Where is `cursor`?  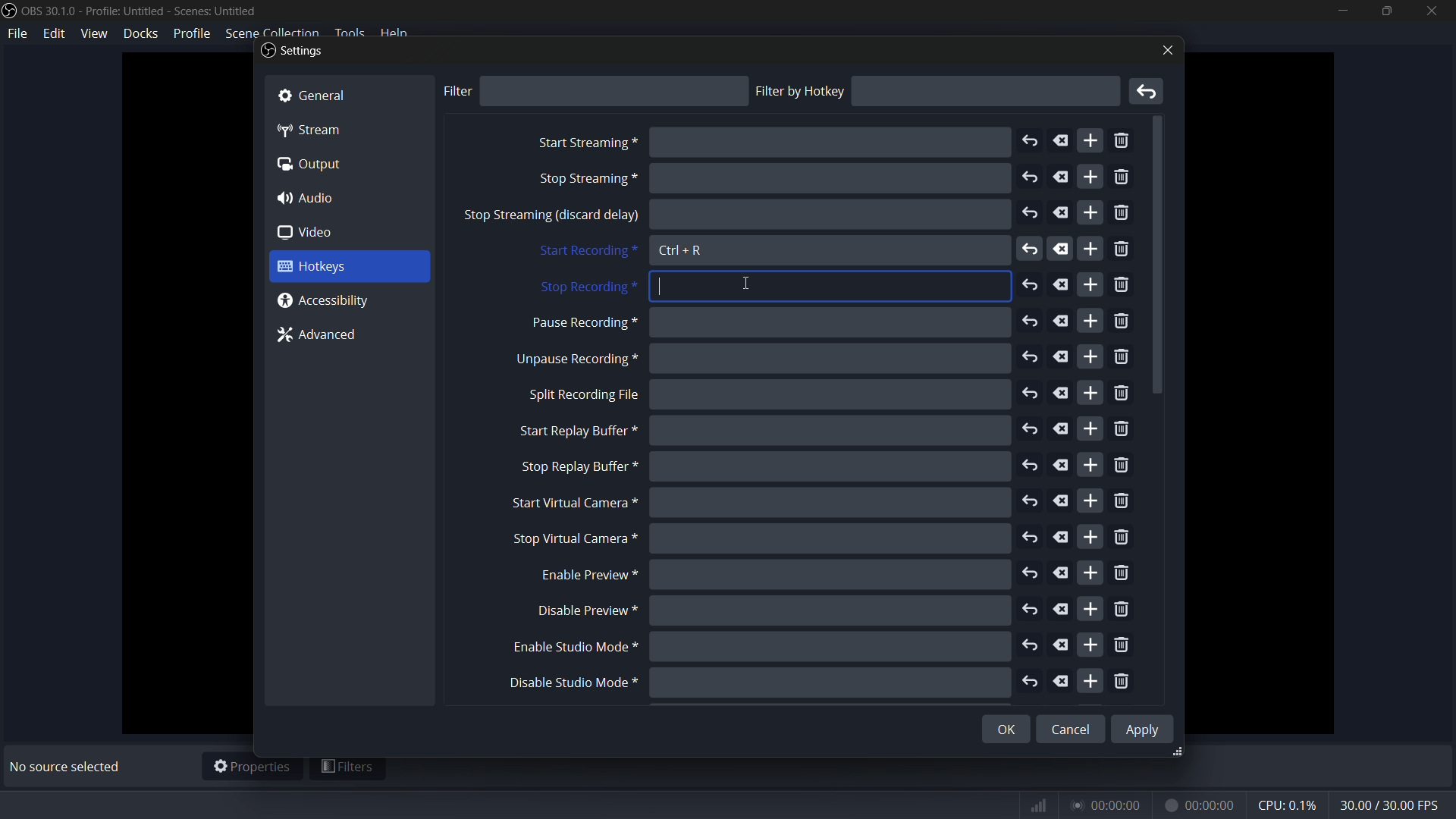 cursor is located at coordinates (748, 284).